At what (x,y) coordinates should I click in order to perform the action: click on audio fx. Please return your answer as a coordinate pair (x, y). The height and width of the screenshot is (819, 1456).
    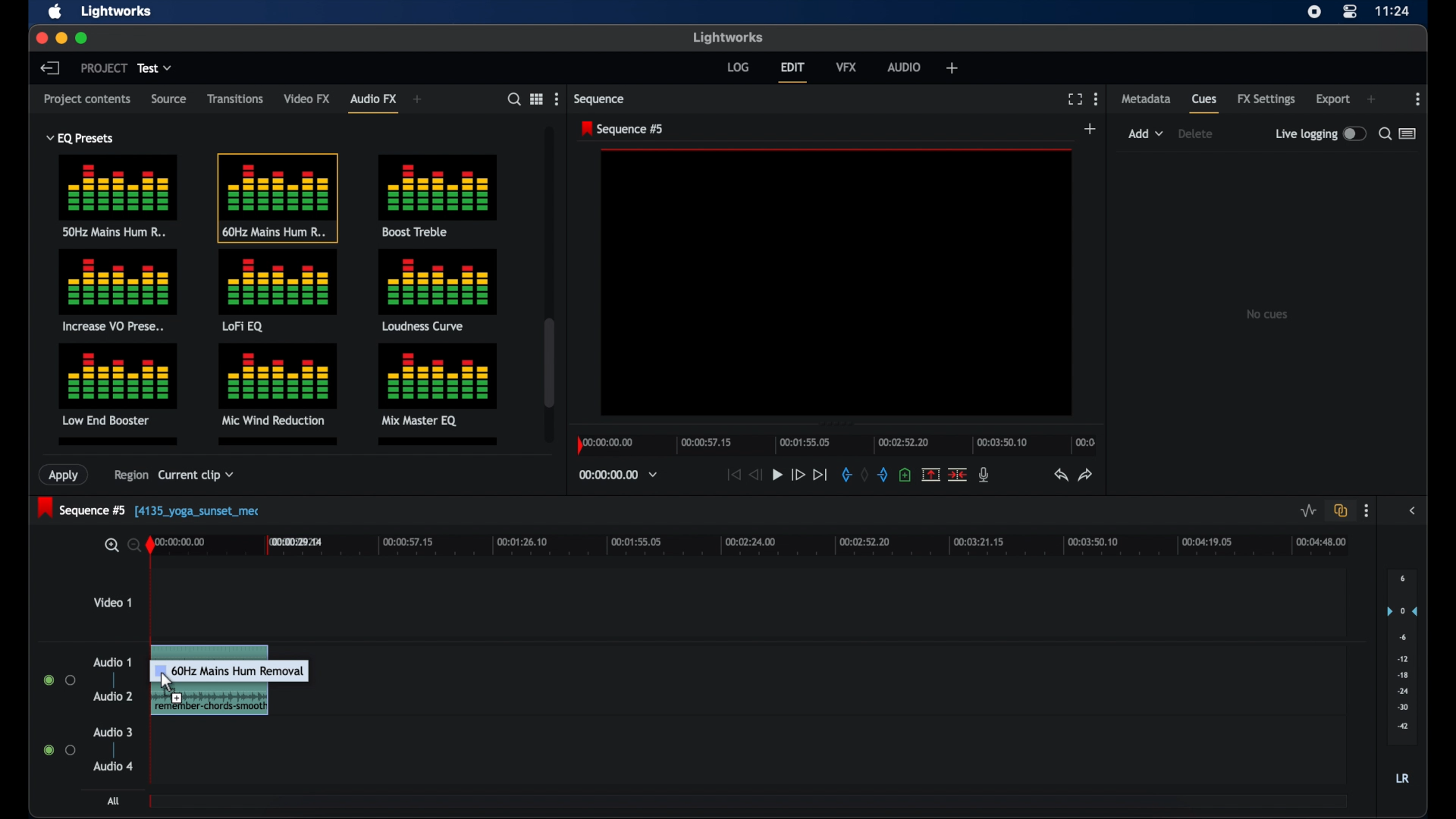
    Looking at the image, I should click on (373, 102).